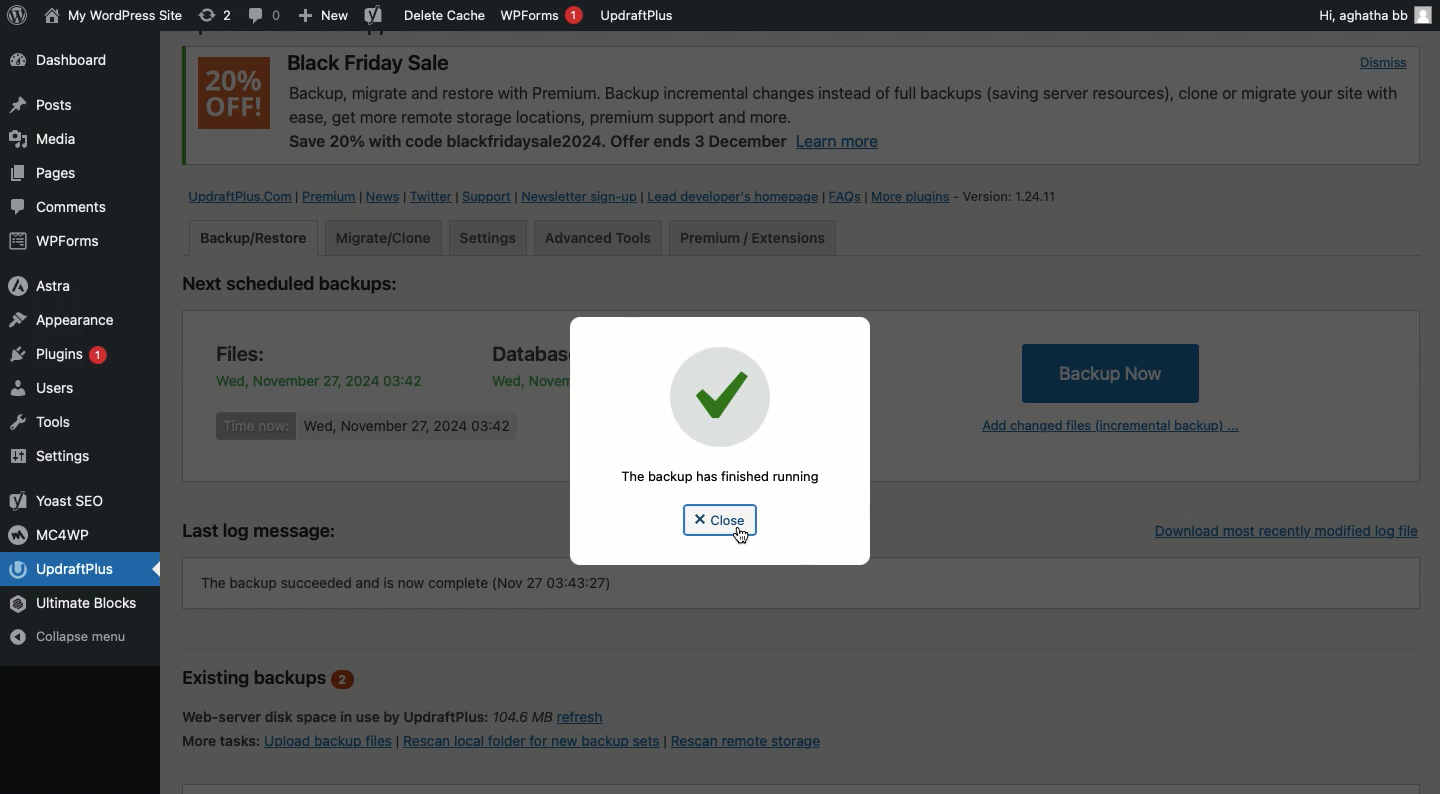 This screenshot has height=794, width=1440. I want to click on 20% OFF, so click(235, 94).